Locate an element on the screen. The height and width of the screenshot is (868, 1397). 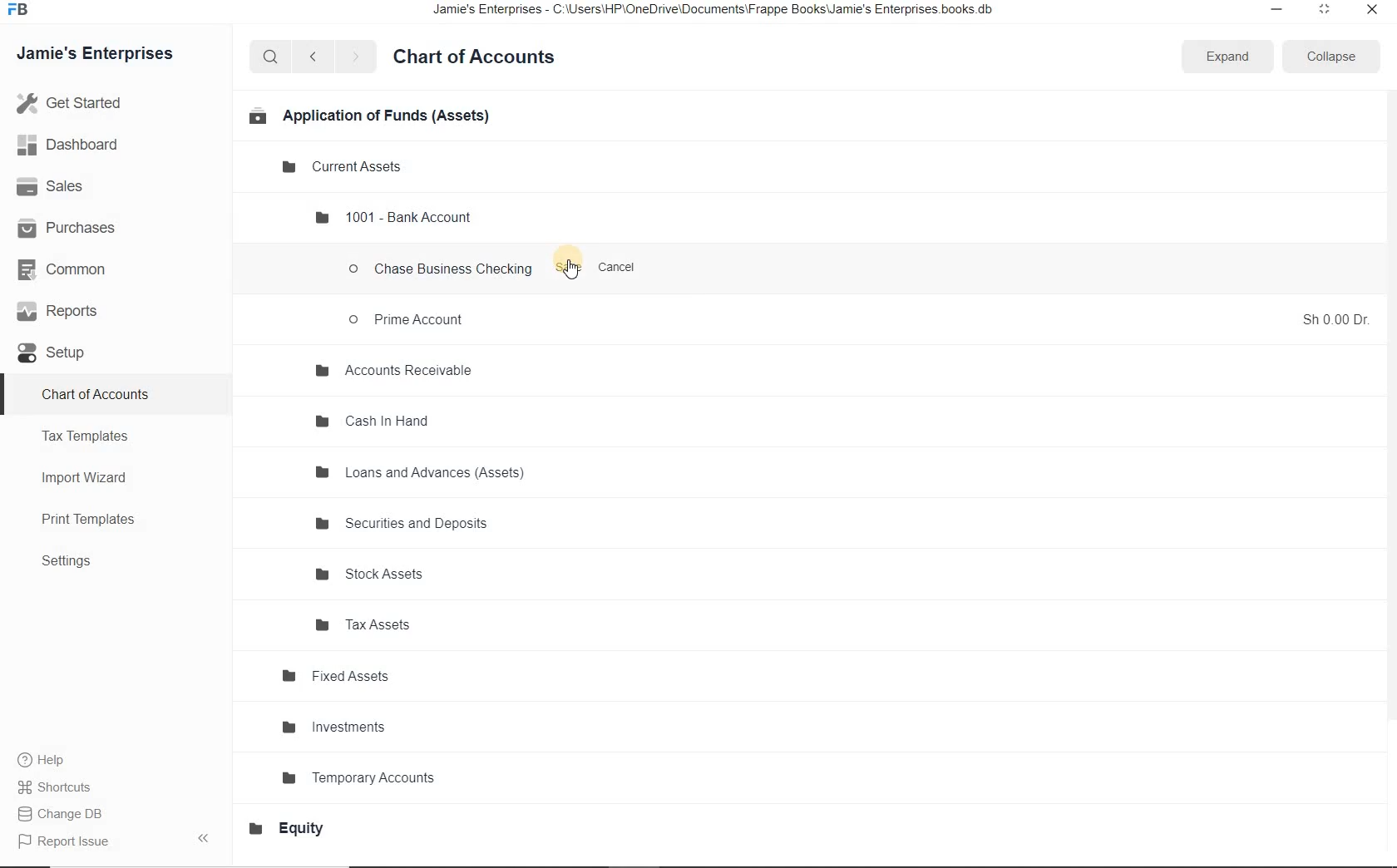
forward is located at coordinates (357, 57).